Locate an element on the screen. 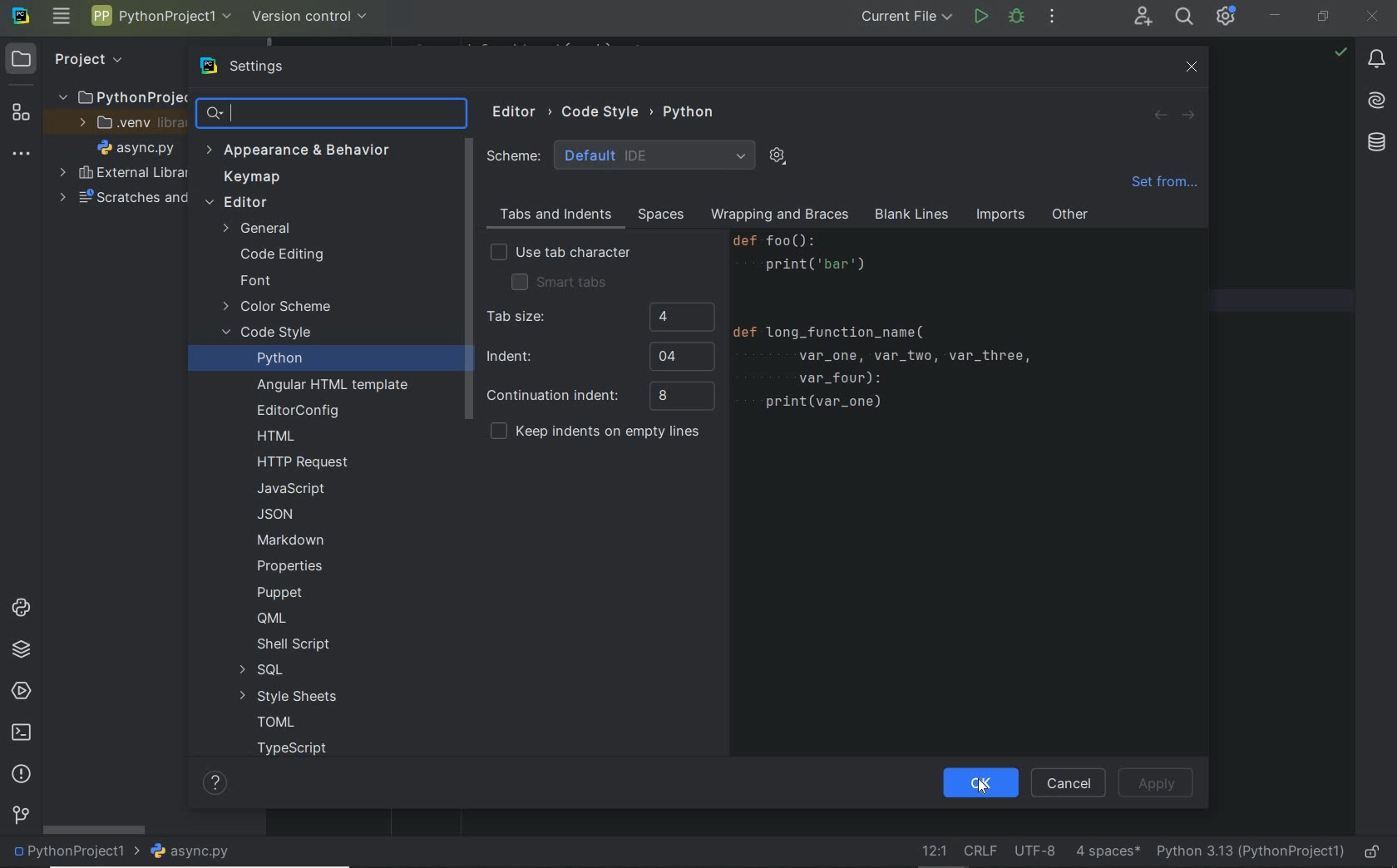 The width and height of the screenshot is (1397, 868). Tabs and Indents is located at coordinates (552, 215).